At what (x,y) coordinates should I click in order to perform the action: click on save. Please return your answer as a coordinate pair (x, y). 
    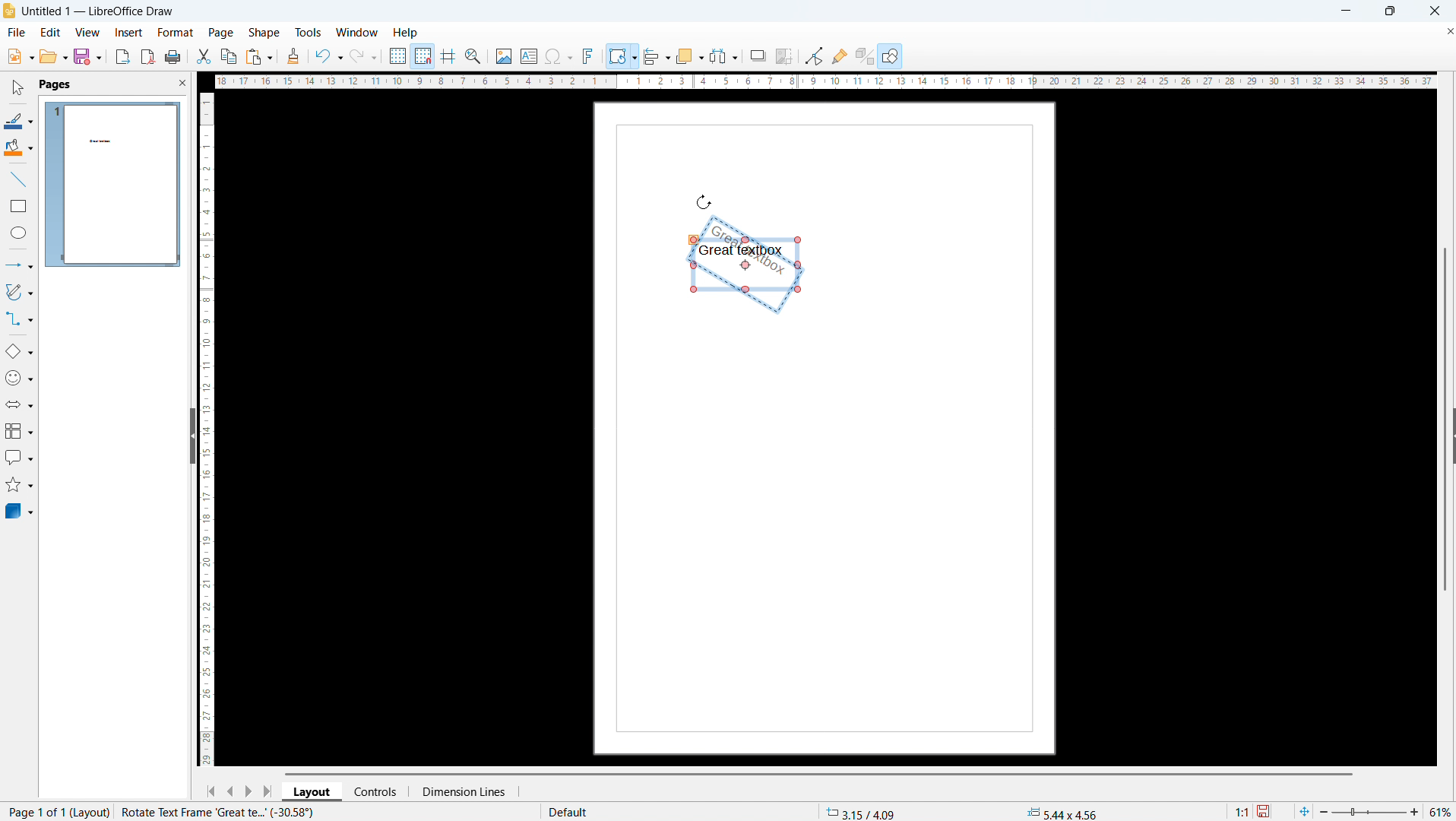
    Looking at the image, I should click on (87, 56).